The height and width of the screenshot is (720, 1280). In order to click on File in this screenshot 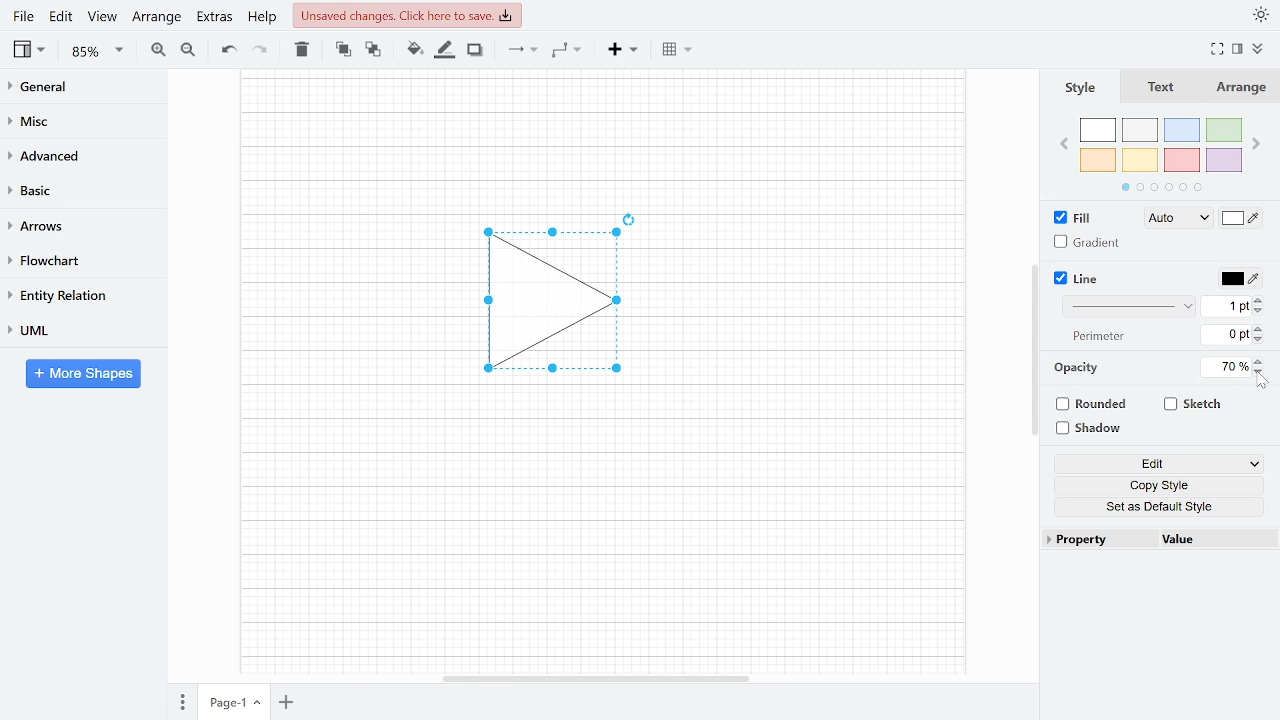, I will do `click(23, 16)`.